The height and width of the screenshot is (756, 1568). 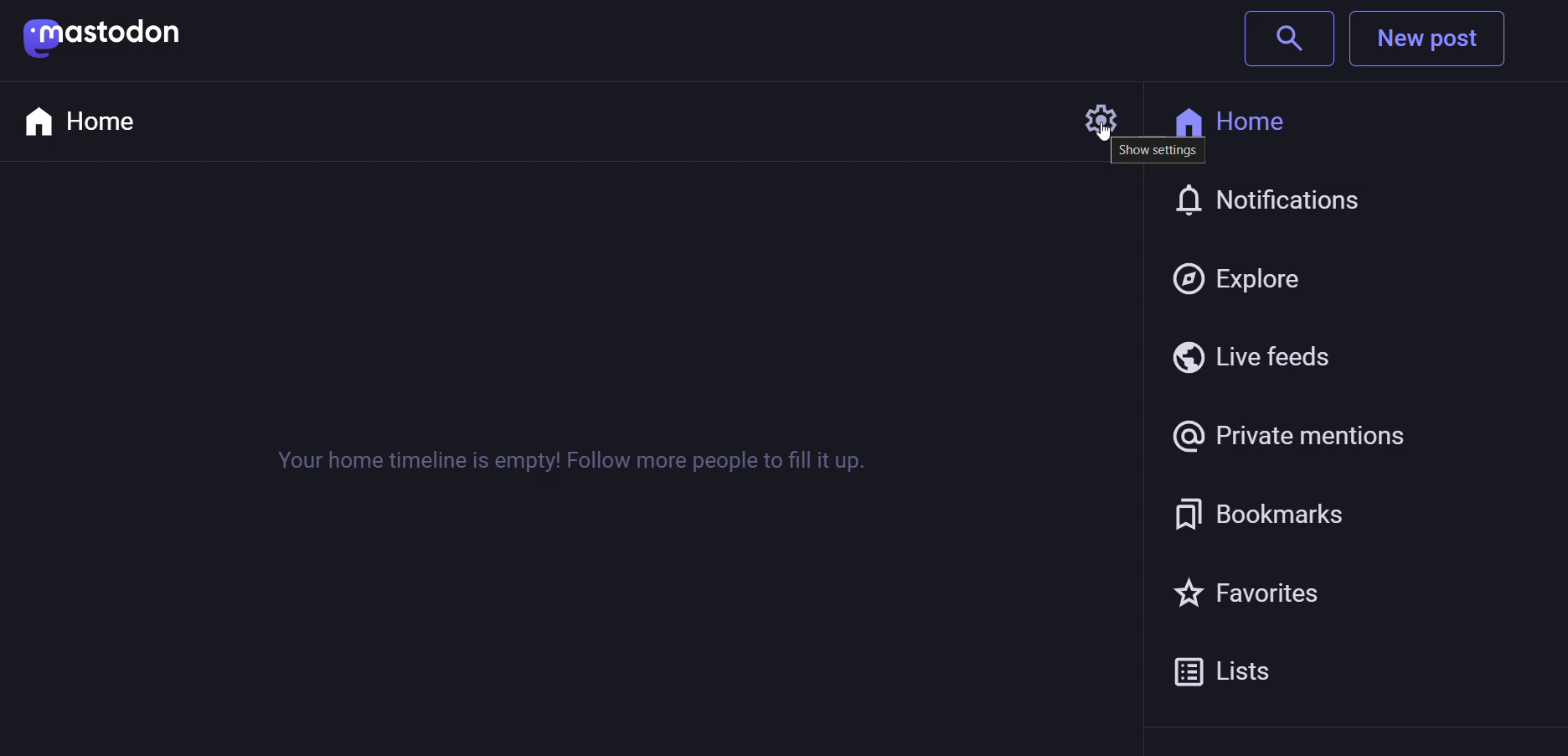 What do you see at coordinates (1290, 41) in the screenshot?
I see `search` at bounding box center [1290, 41].